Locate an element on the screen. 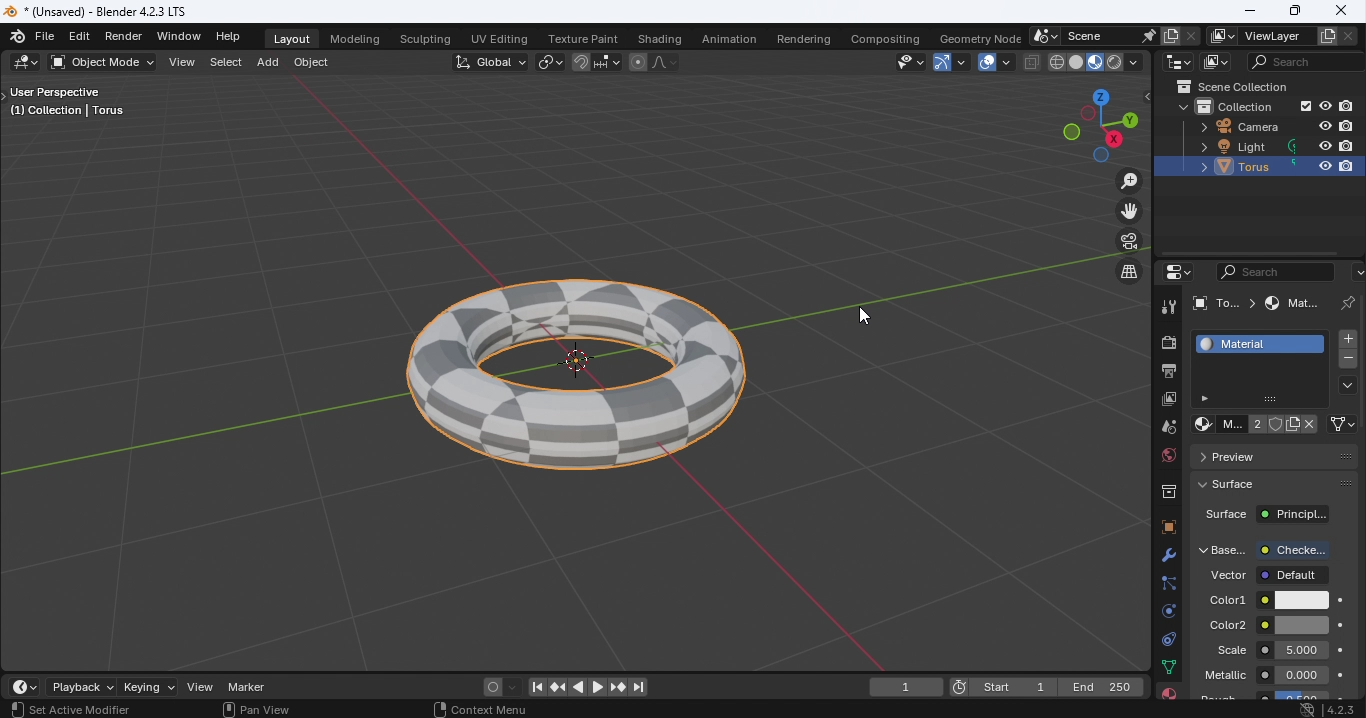 This screenshot has width=1366, height=718. Display filter is located at coordinates (1274, 272).